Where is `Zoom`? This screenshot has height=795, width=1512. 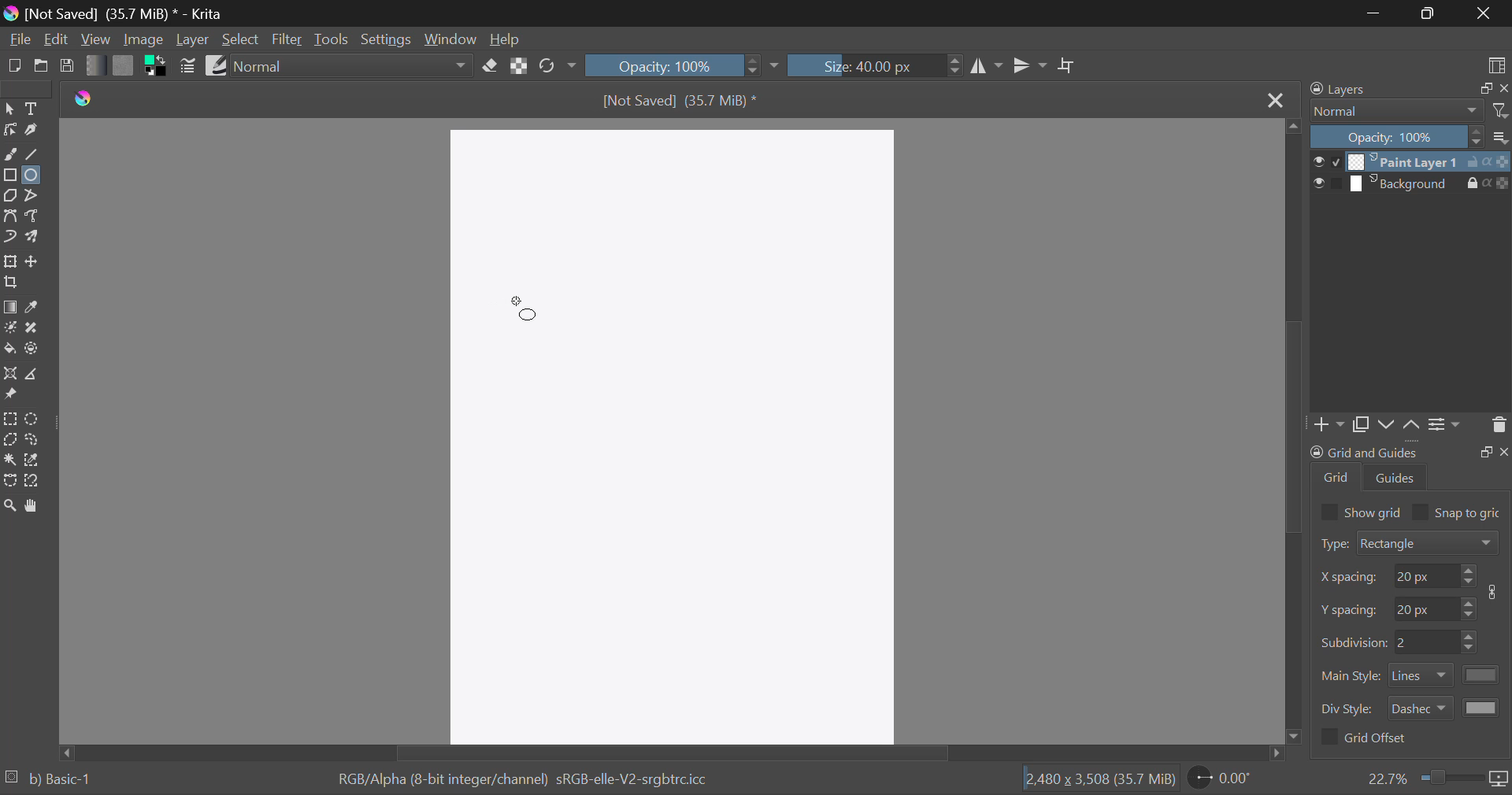 Zoom is located at coordinates (1437, 778).